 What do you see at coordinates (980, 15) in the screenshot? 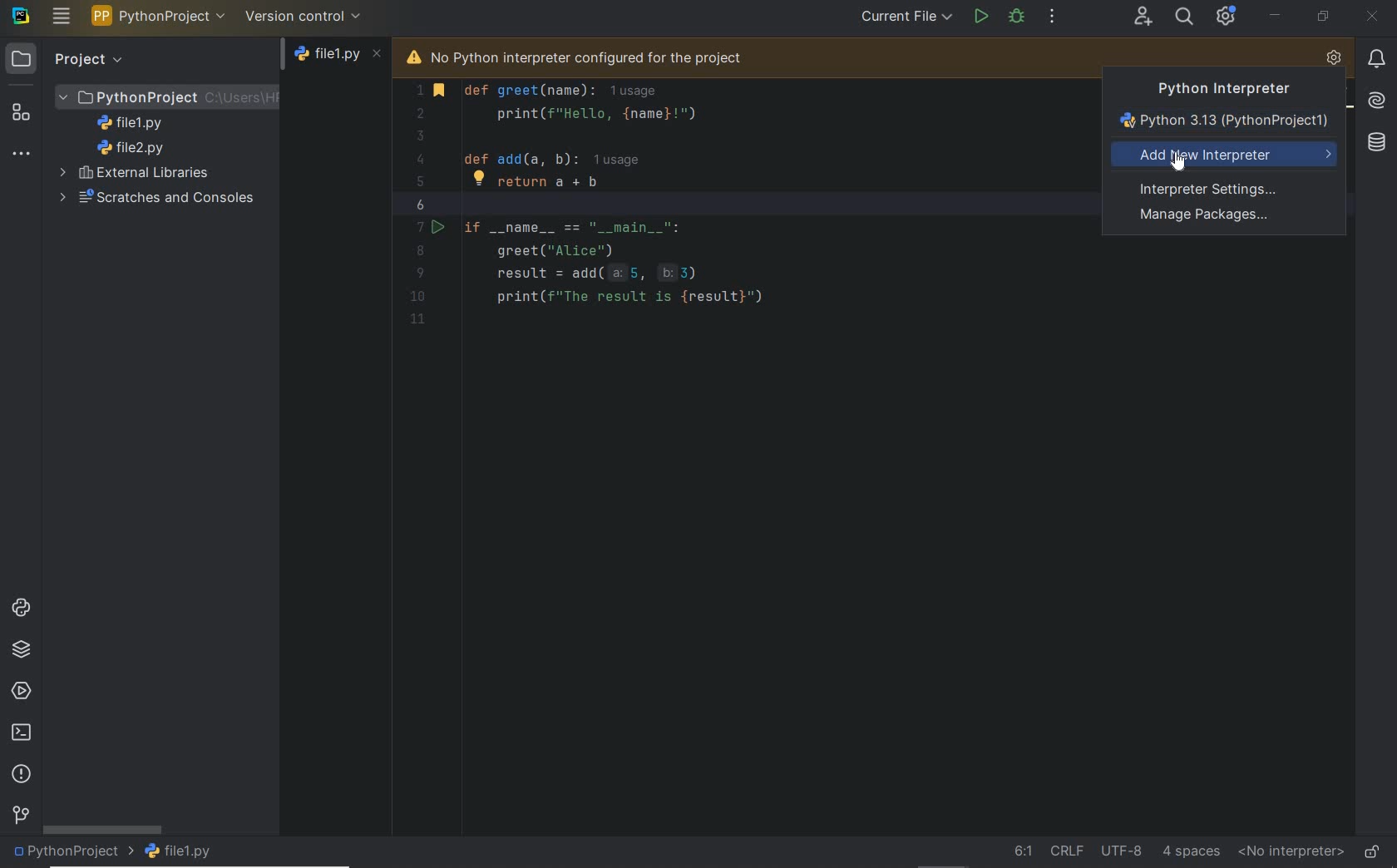
I see `run` at bounding box center [980, 15].